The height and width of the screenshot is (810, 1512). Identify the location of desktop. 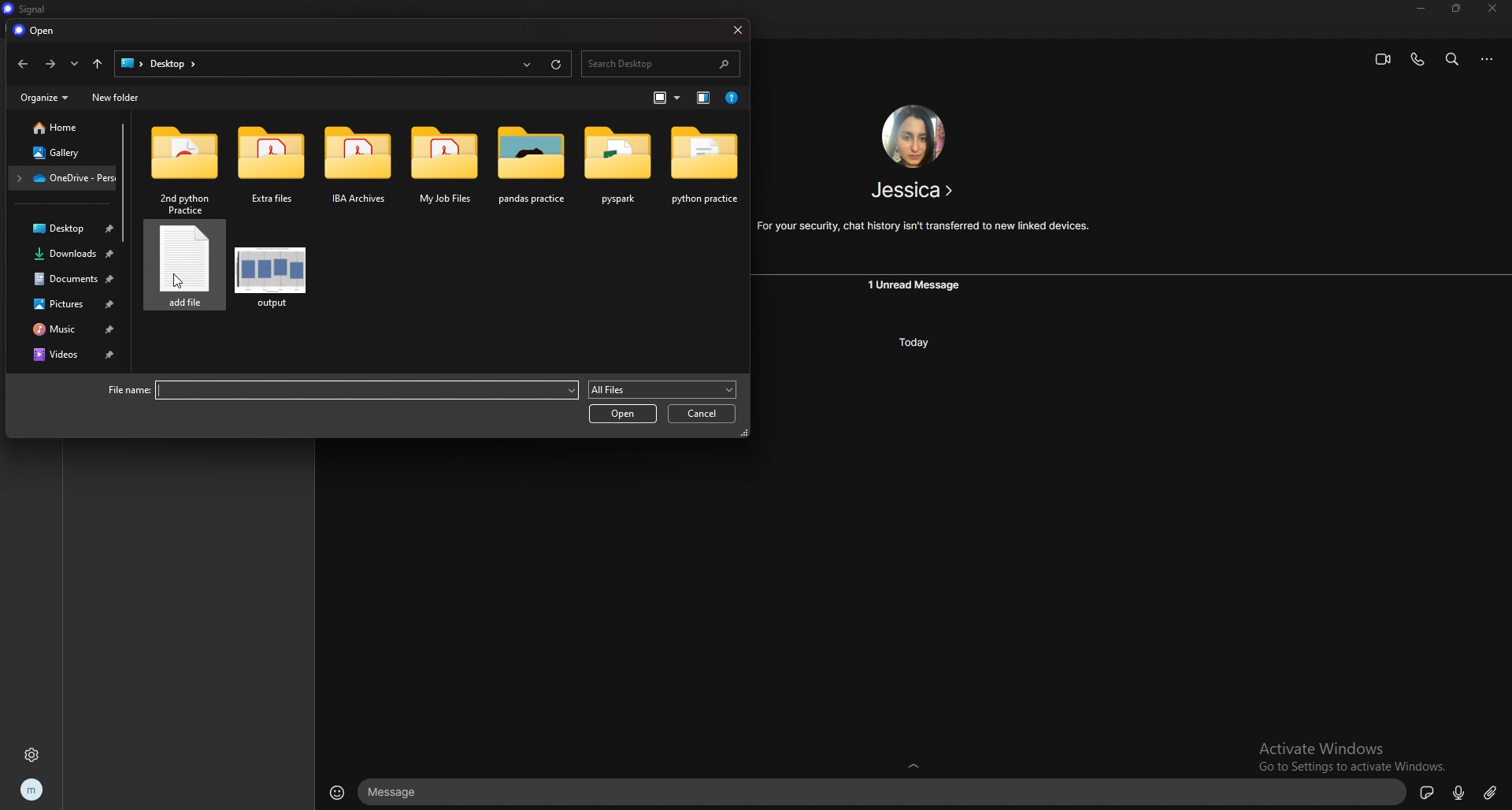
(64, 229).